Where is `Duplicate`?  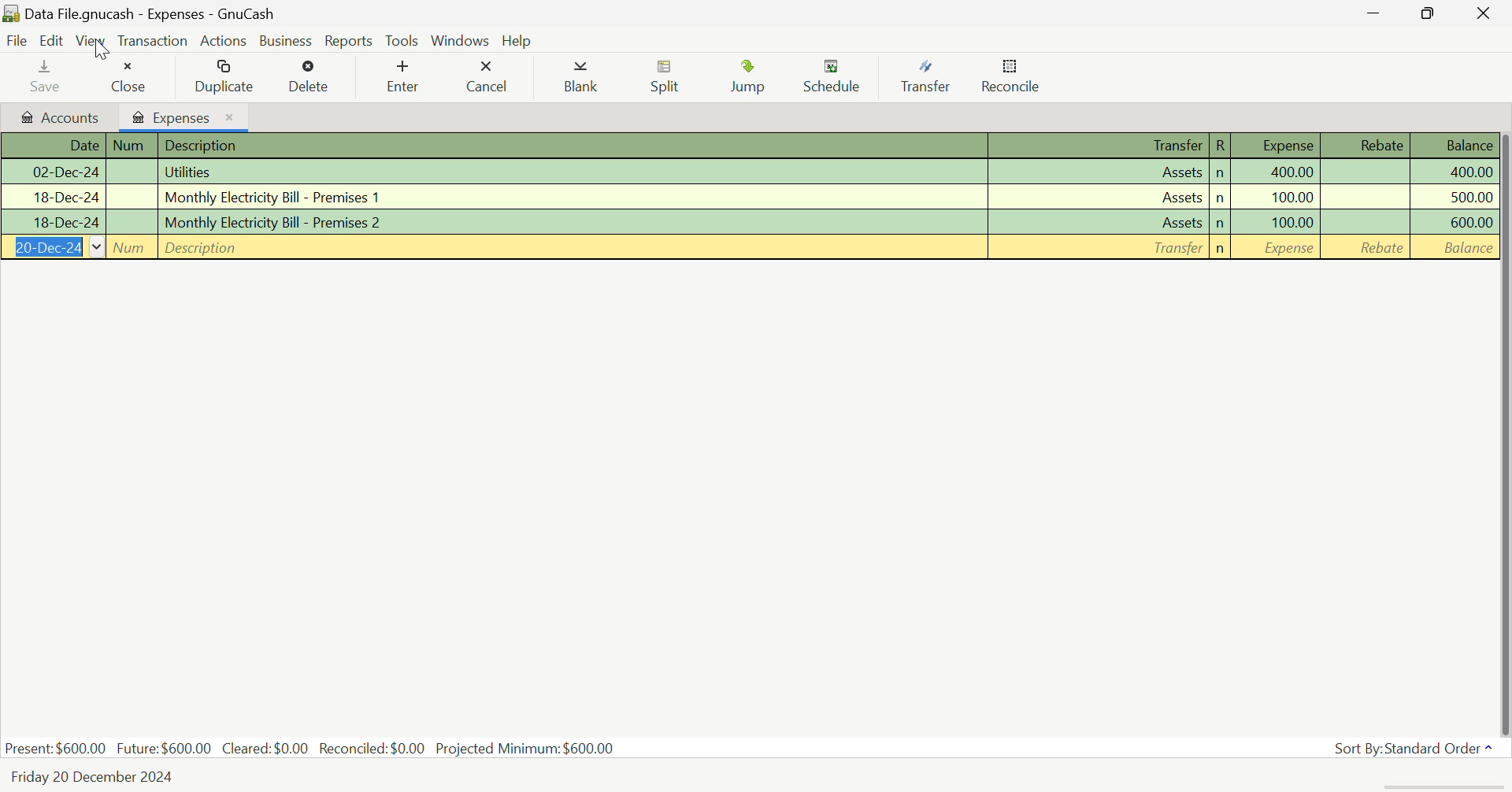 Duplicate is located at coordinates (224, 76).